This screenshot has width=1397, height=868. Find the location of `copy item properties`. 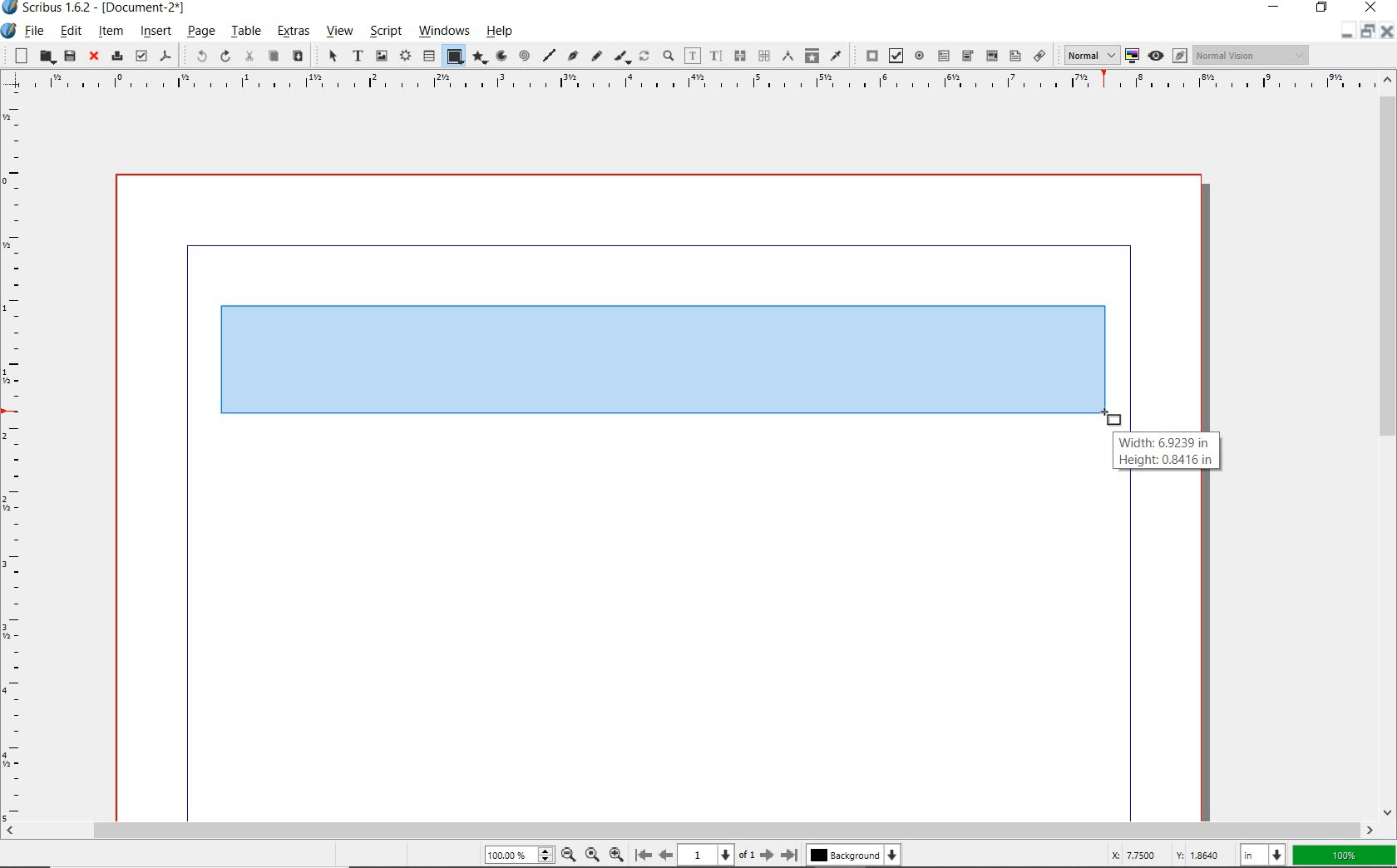

copy item properties is located at coordinates (812, 55).